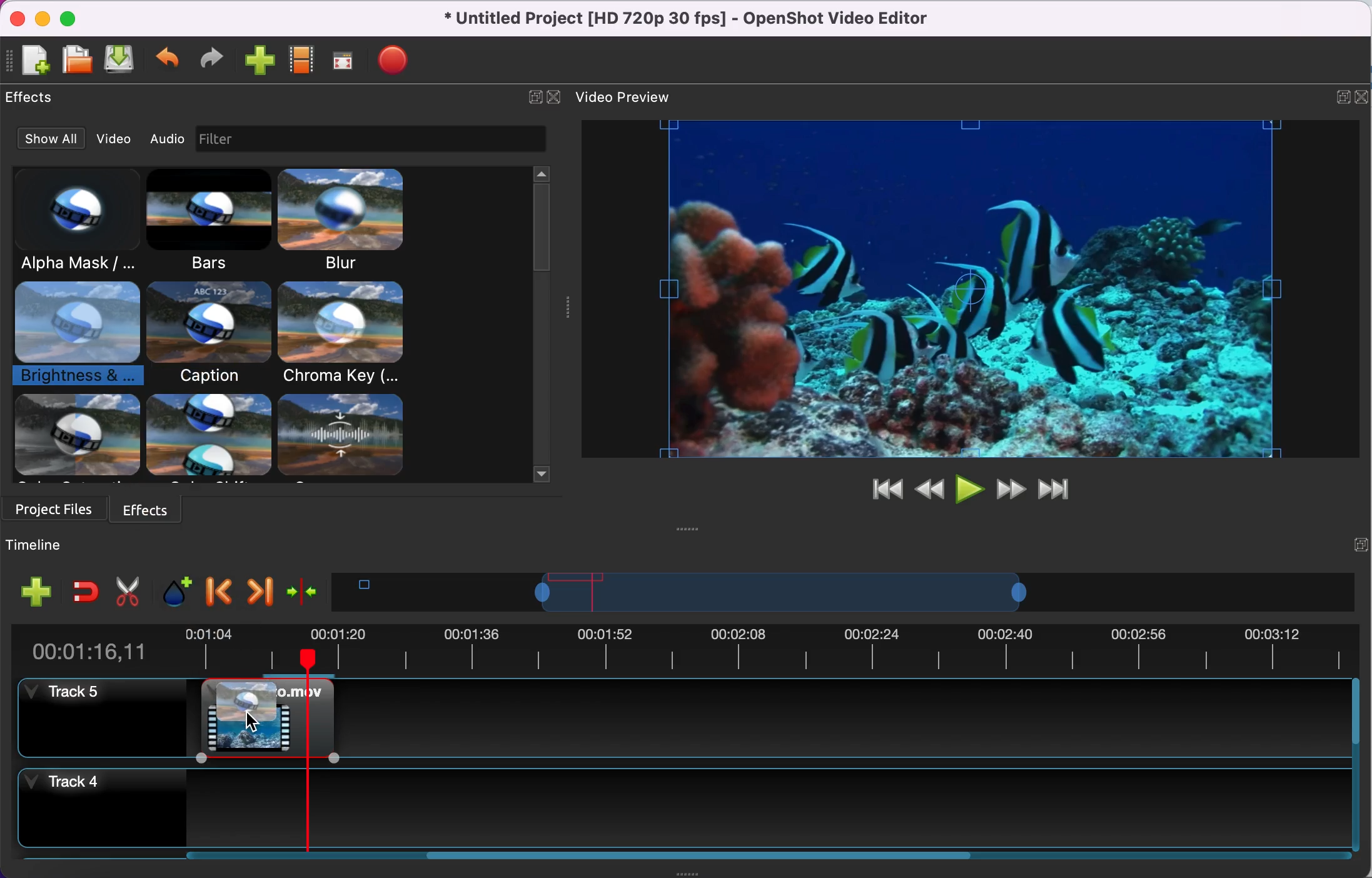 The image size is (1372, 878). Describe the element at coordinates (1056, 490) in the screenshot. I see `jump to end` at that location.